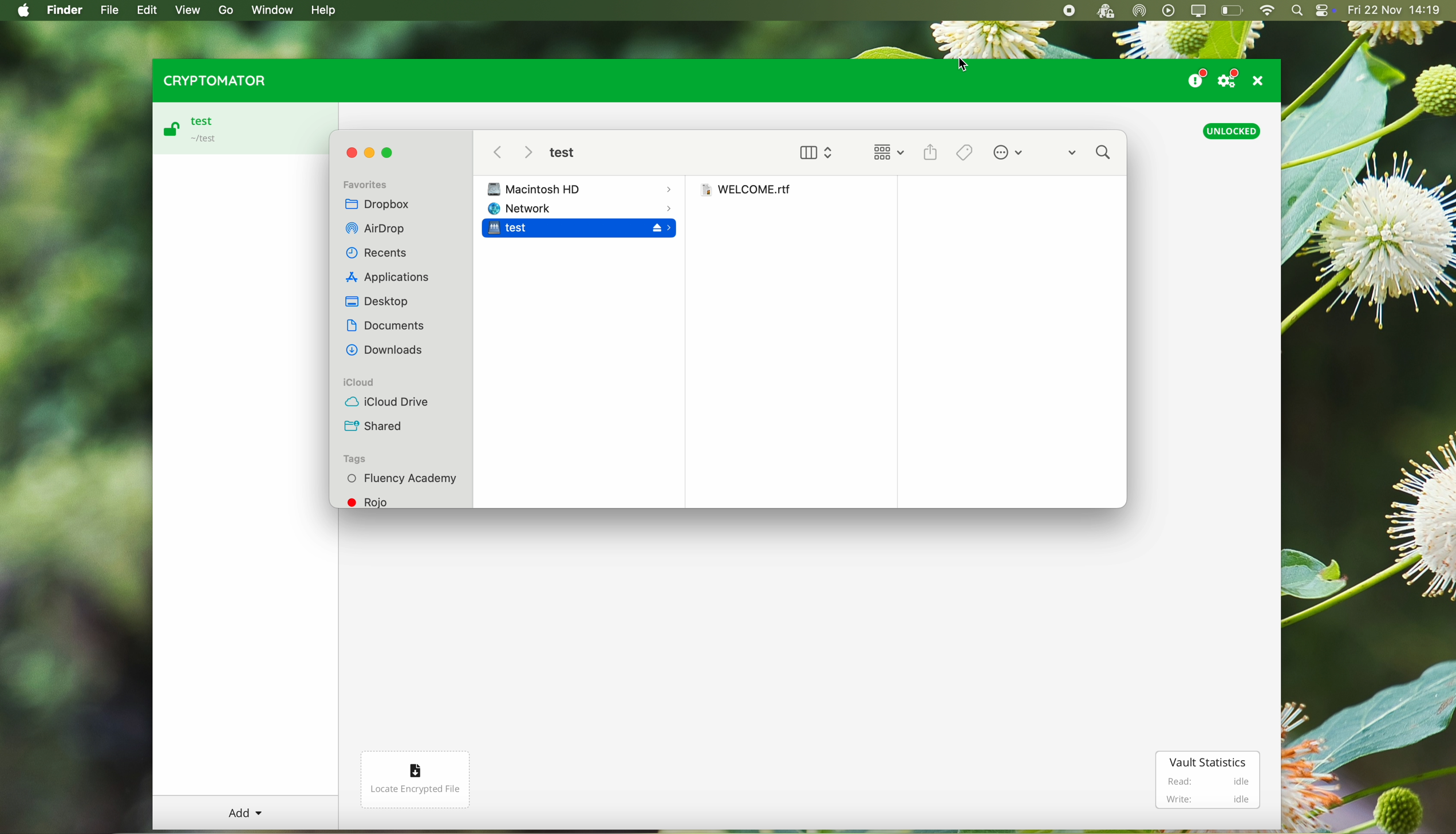 This screenshot has height=834, width=1456. I want to click on close program, so click(1261, 80).